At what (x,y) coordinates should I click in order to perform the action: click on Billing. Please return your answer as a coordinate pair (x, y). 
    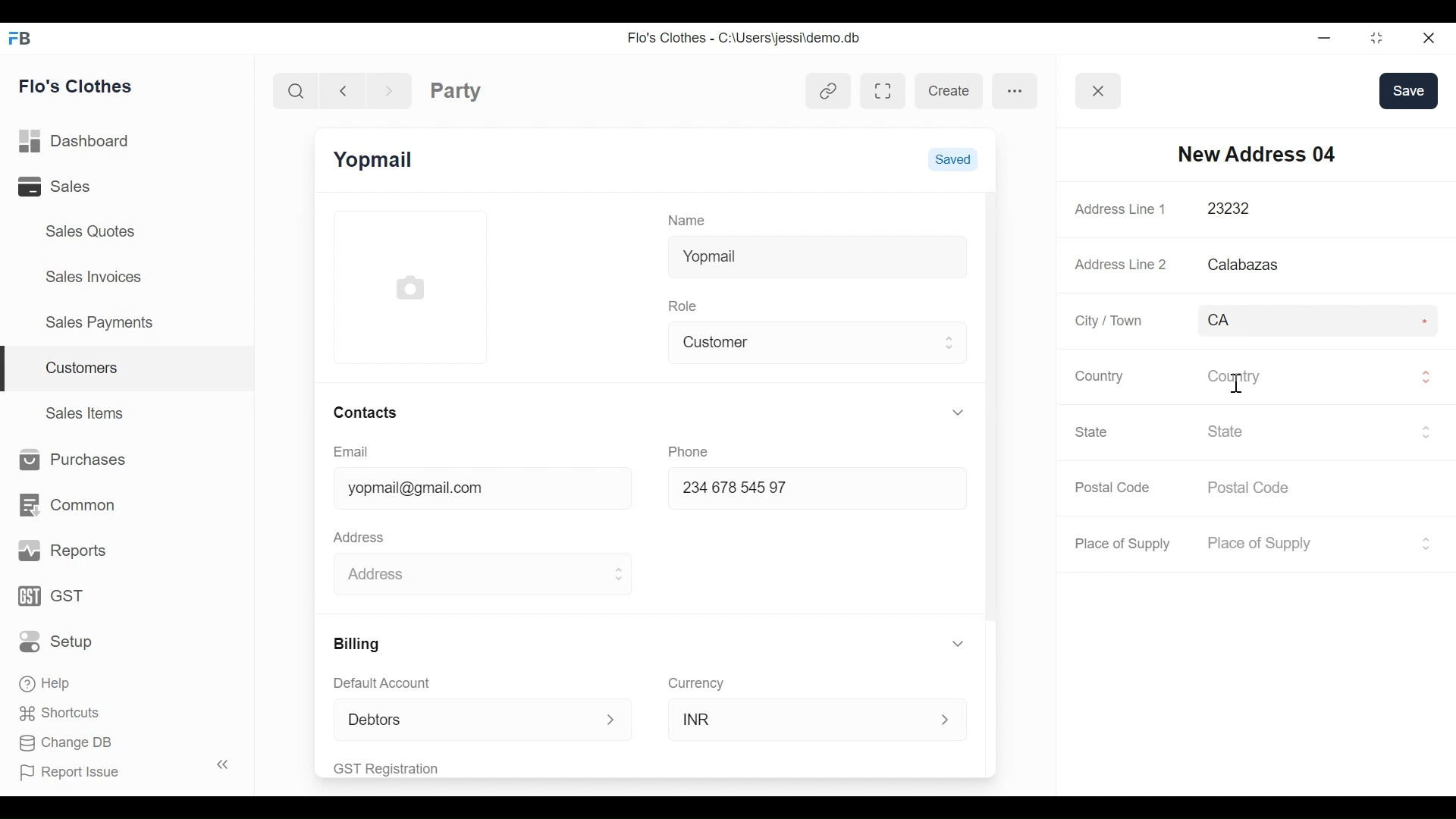
    Looking at the image, I should click on (355, 644).